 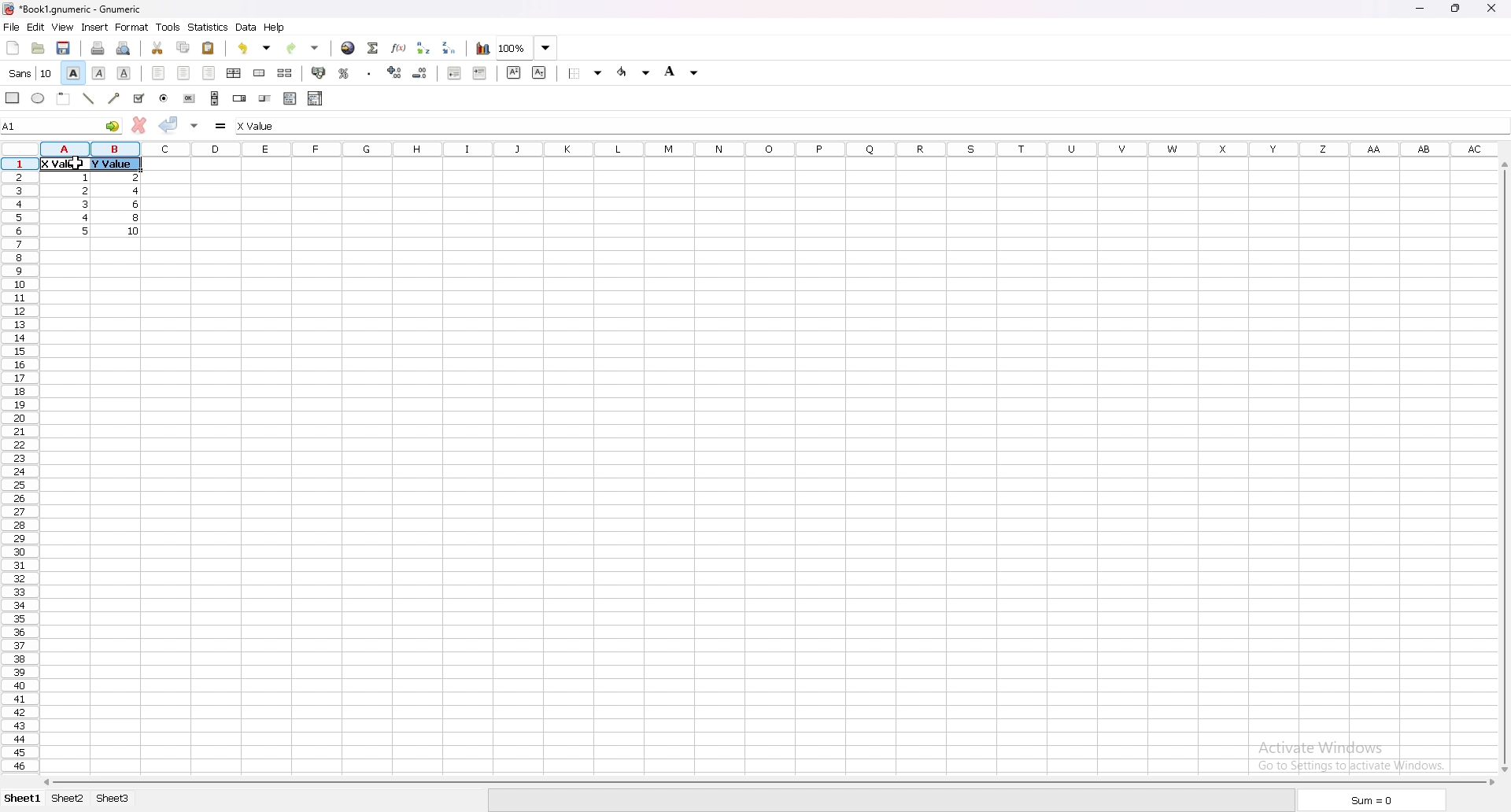 What do you see at coordinates (87, 178) in the screenshot?
I see `value` at bounding box center [87, 178].